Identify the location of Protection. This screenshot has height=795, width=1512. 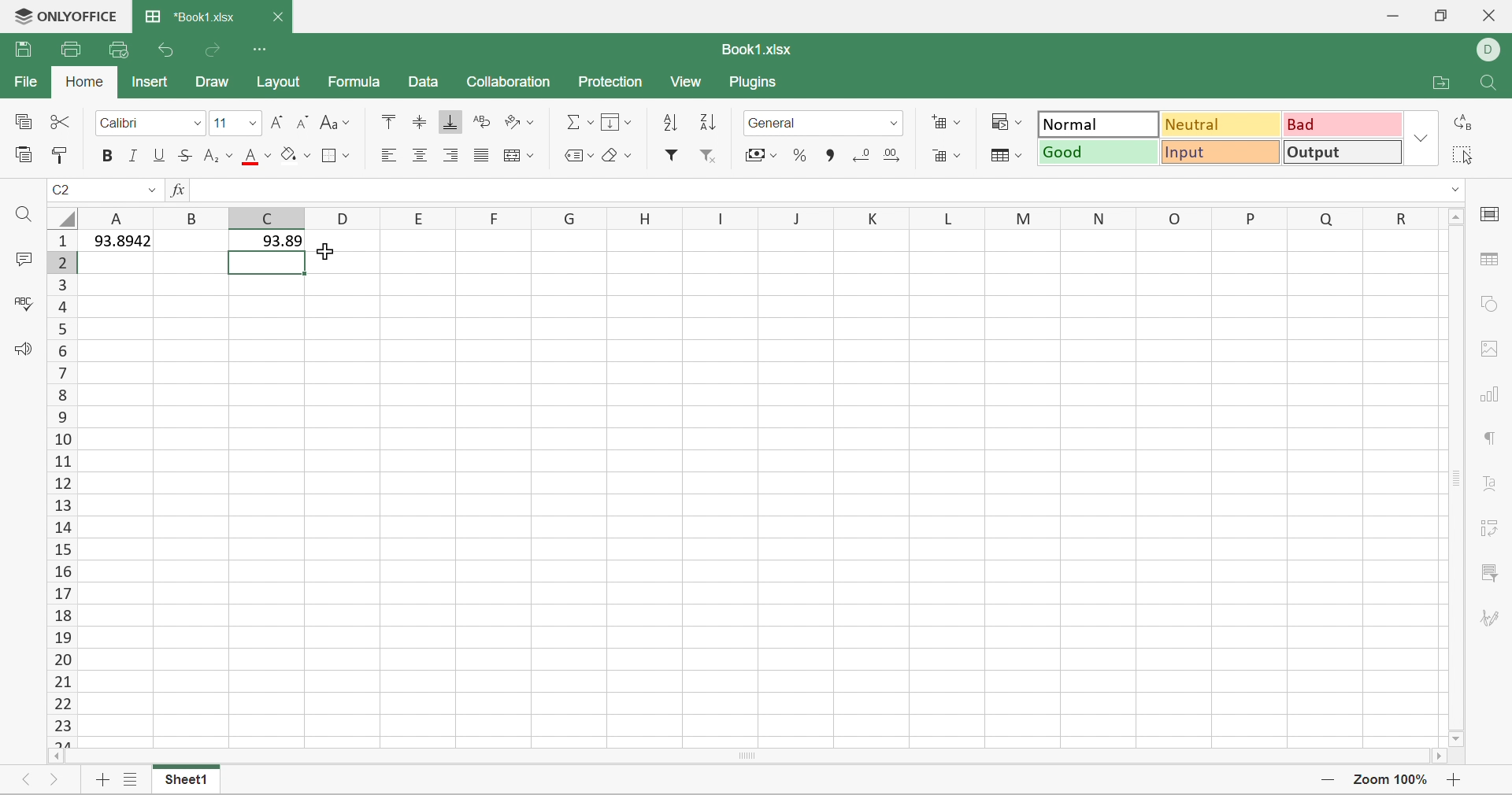
(612, 81).